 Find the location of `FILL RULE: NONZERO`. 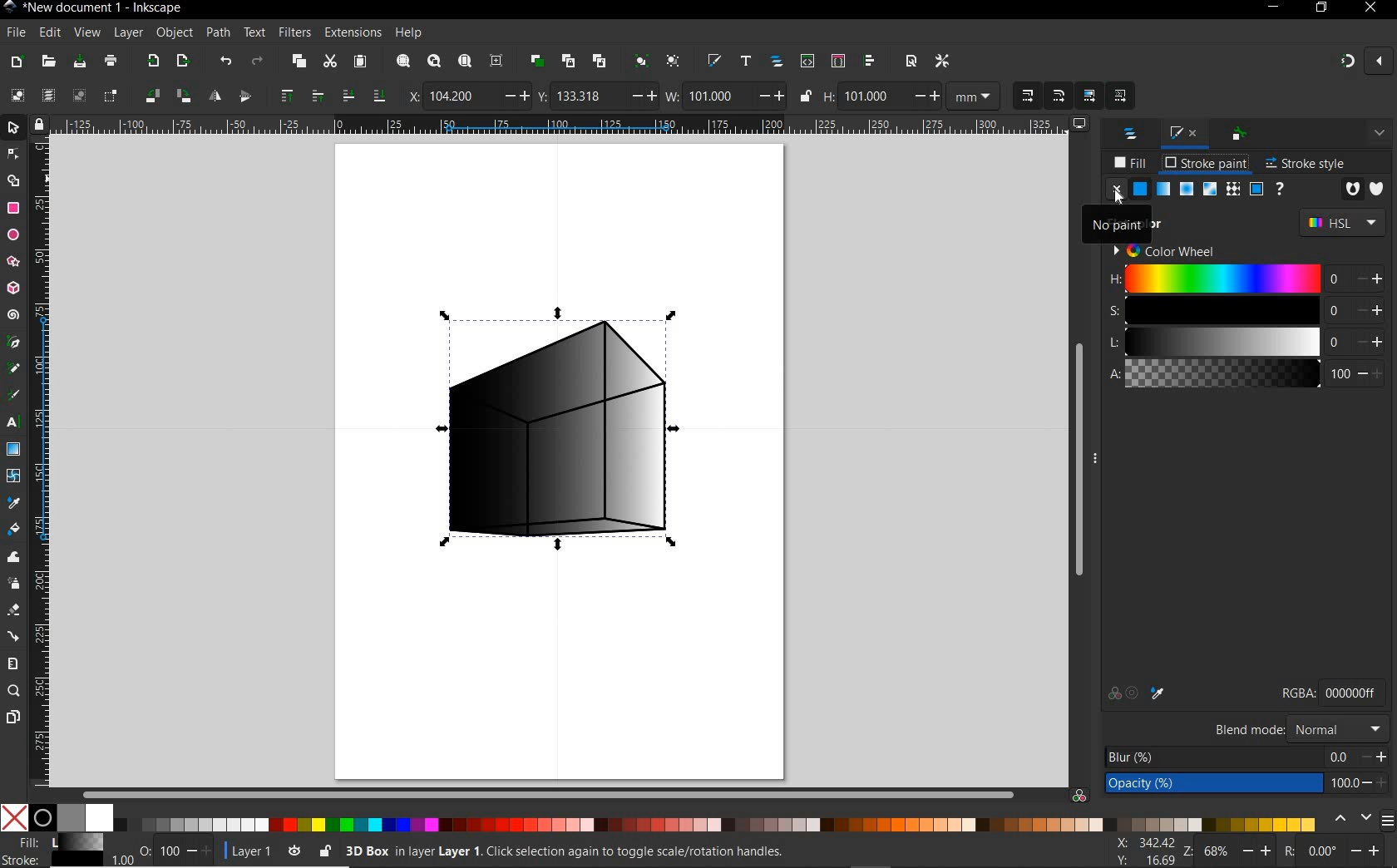

FILL RULE: NONZERO is located at coordinates (1377, 188).